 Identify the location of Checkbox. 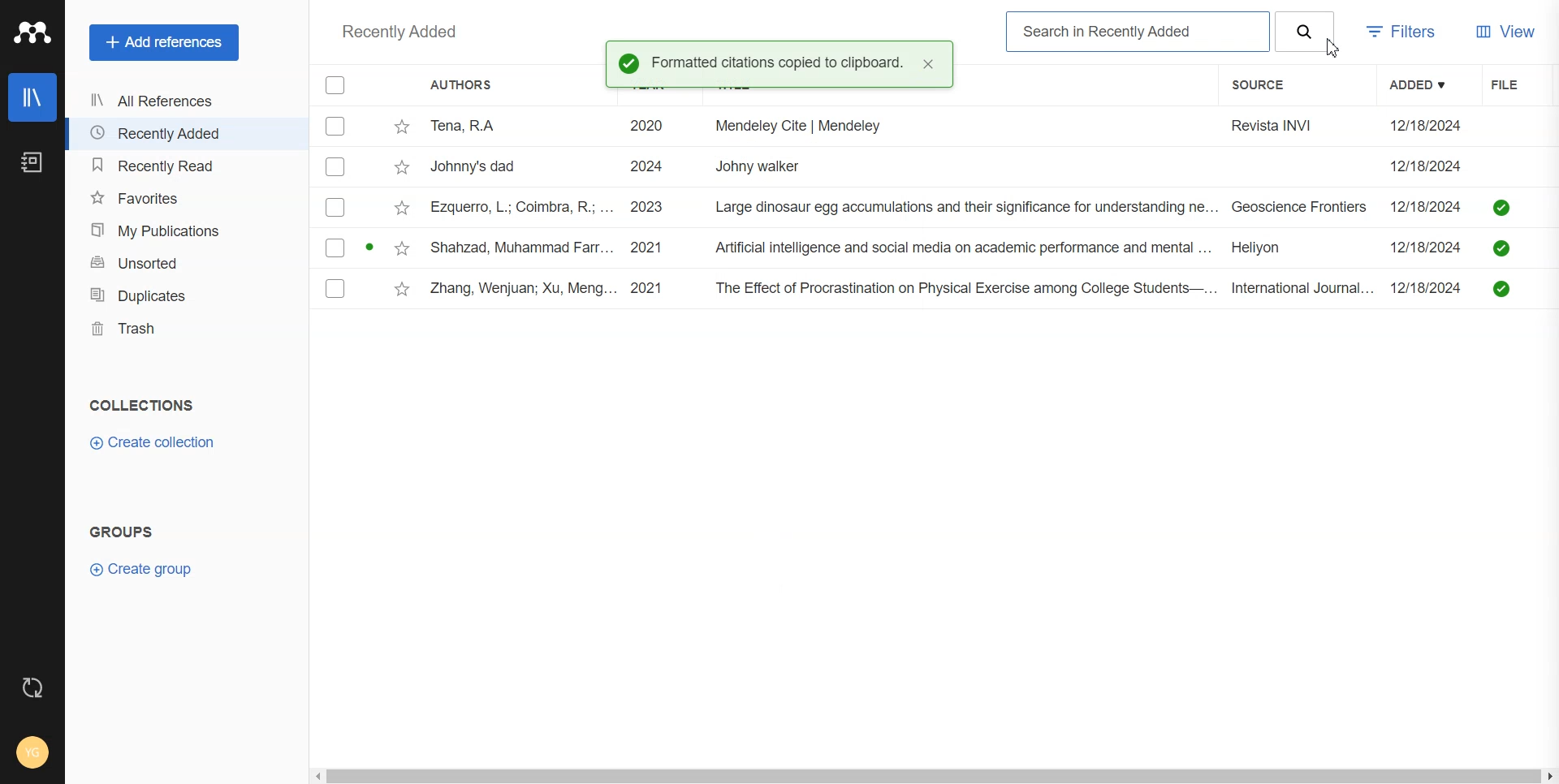
(335, 248).